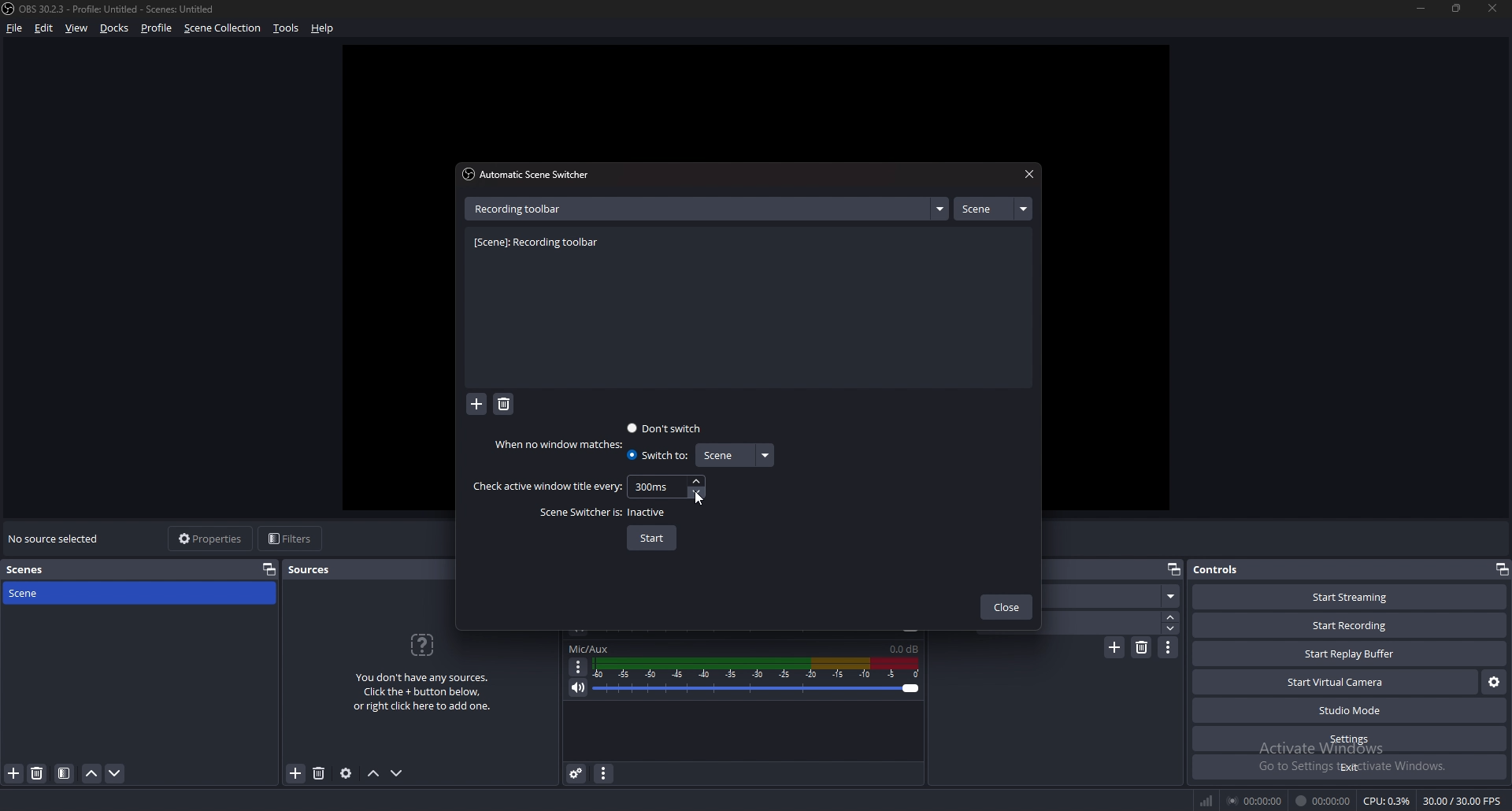 This screenshot has height=811, width=1512. What do you see at coordinates (579, 667) in the screenshot?
I see `options` at bounding box center [579, 667].